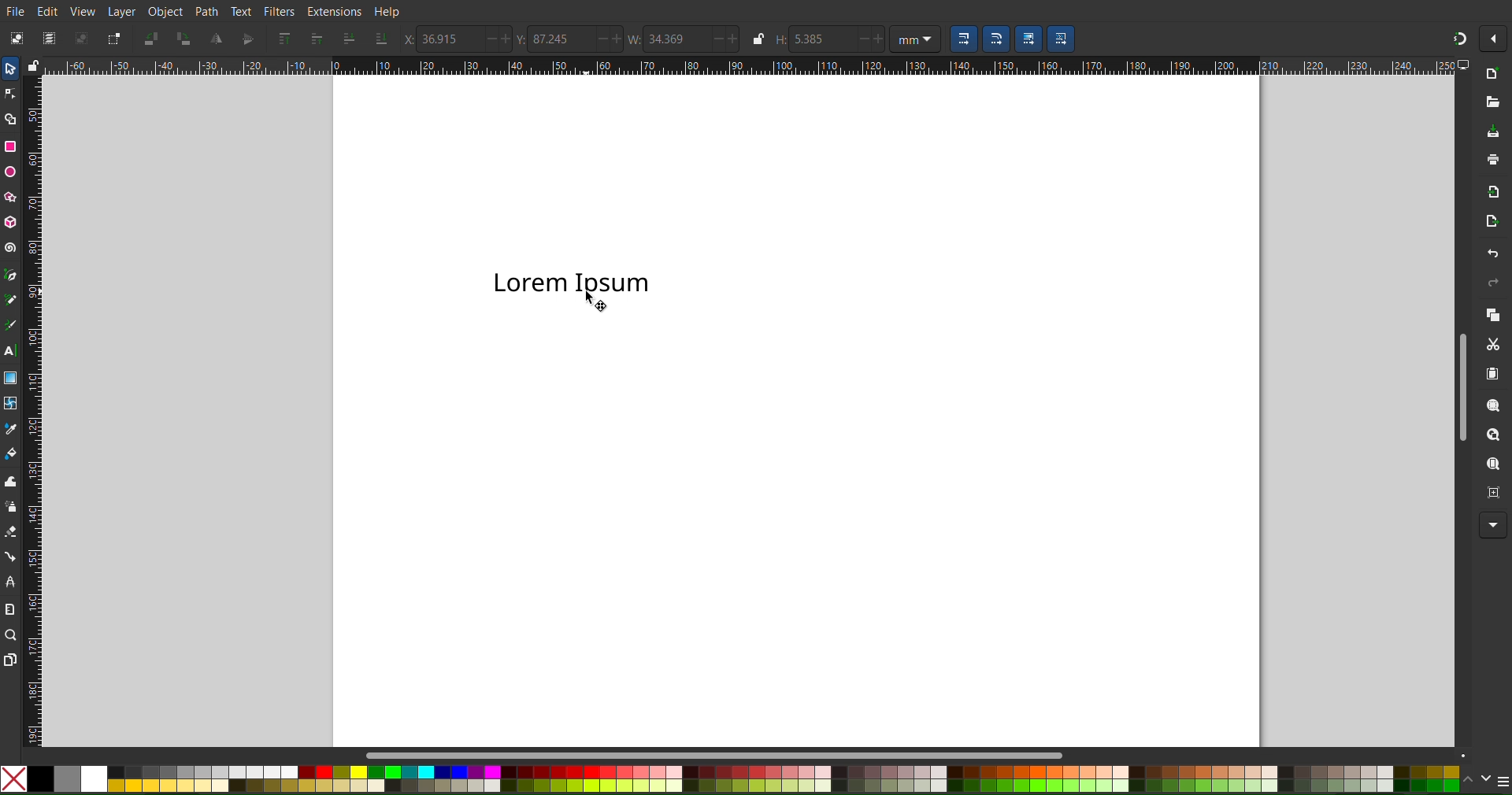  I want to click on Pencil Tool, so click(10, 299).